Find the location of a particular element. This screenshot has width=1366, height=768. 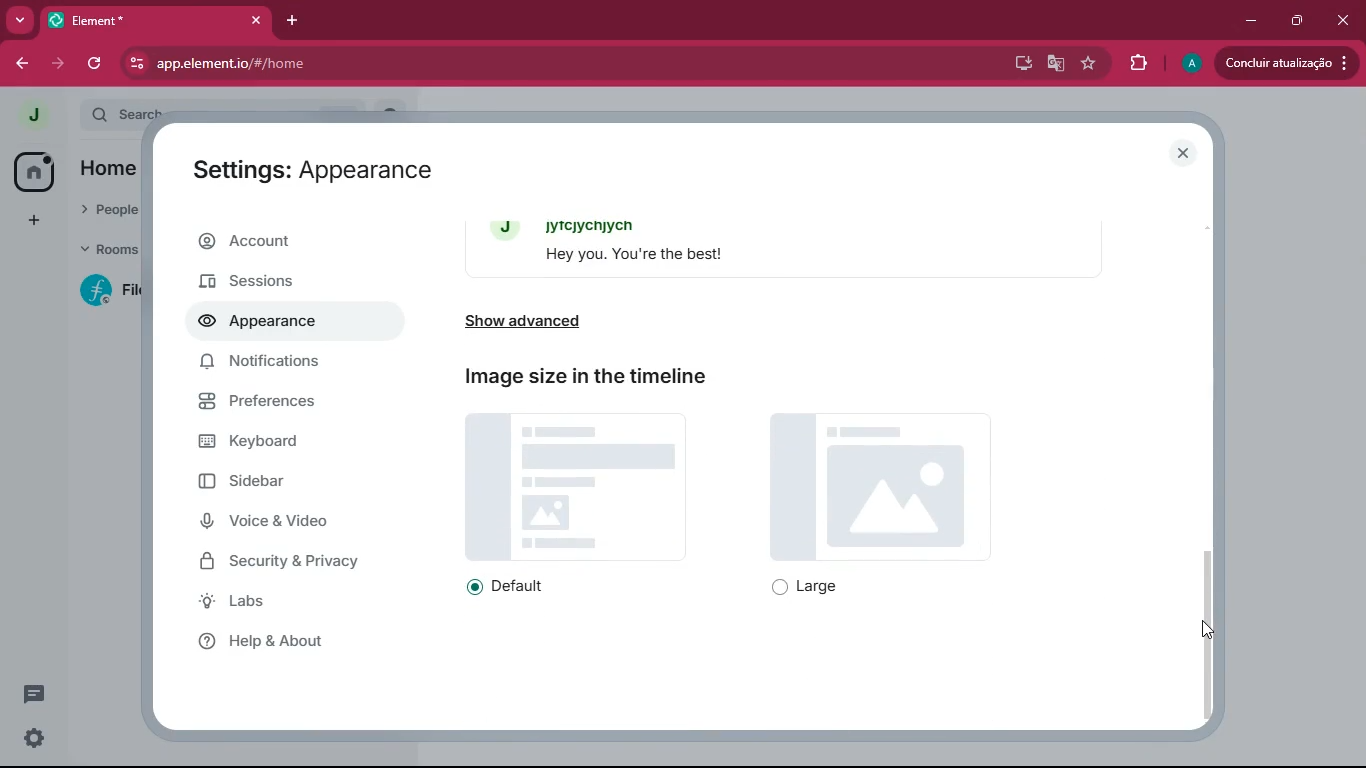

home is located at coordinates (27, 170).